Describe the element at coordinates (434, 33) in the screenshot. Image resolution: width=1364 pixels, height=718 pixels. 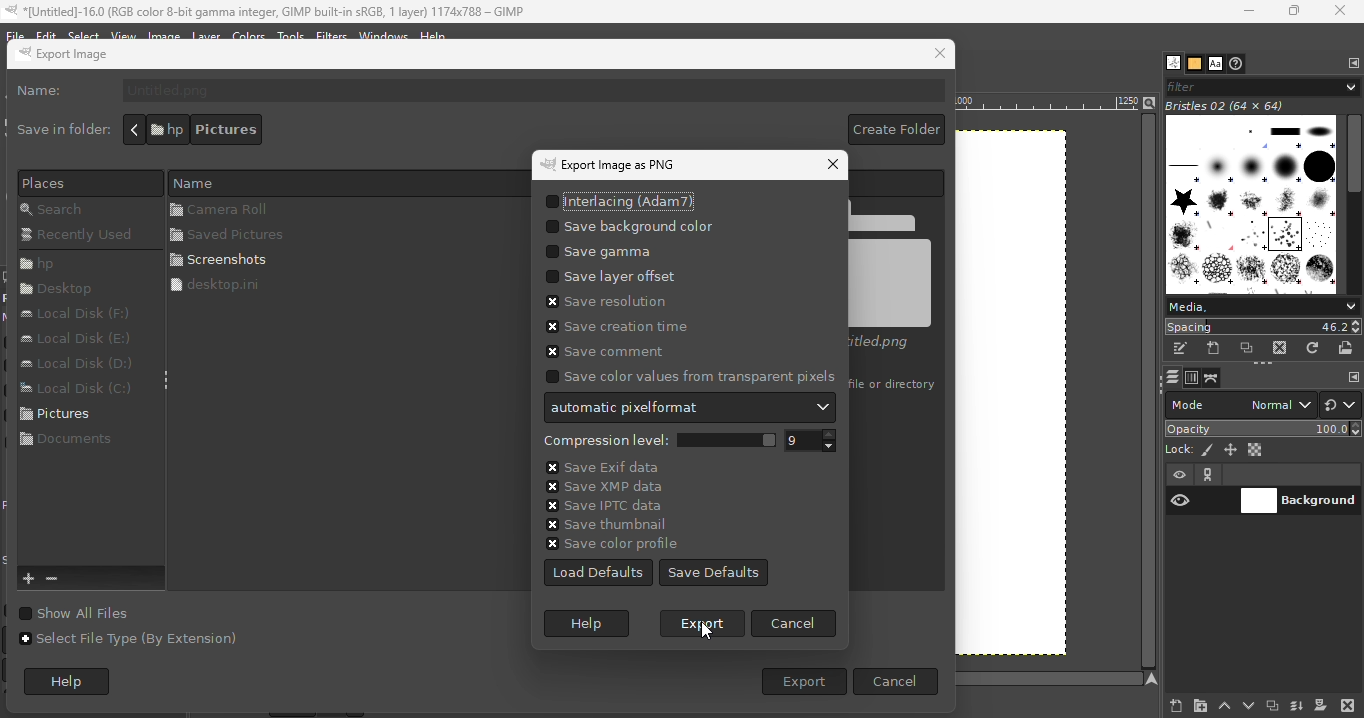
I see `Help` at that location.